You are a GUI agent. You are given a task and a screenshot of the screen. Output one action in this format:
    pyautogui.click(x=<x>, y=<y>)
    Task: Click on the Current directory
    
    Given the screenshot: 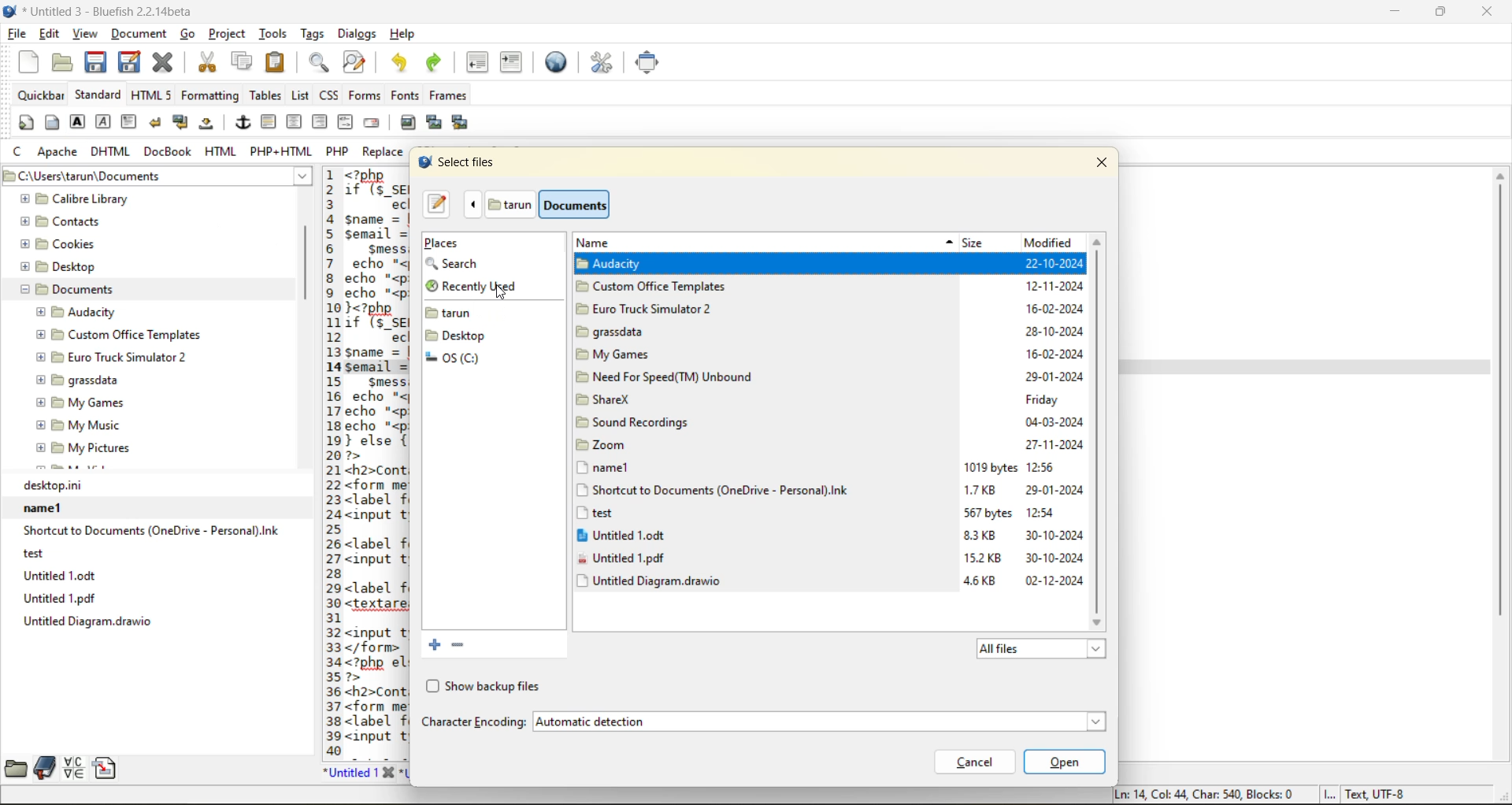 What is the action you would take?
    pyautogui.click(x=215, y=176)
    